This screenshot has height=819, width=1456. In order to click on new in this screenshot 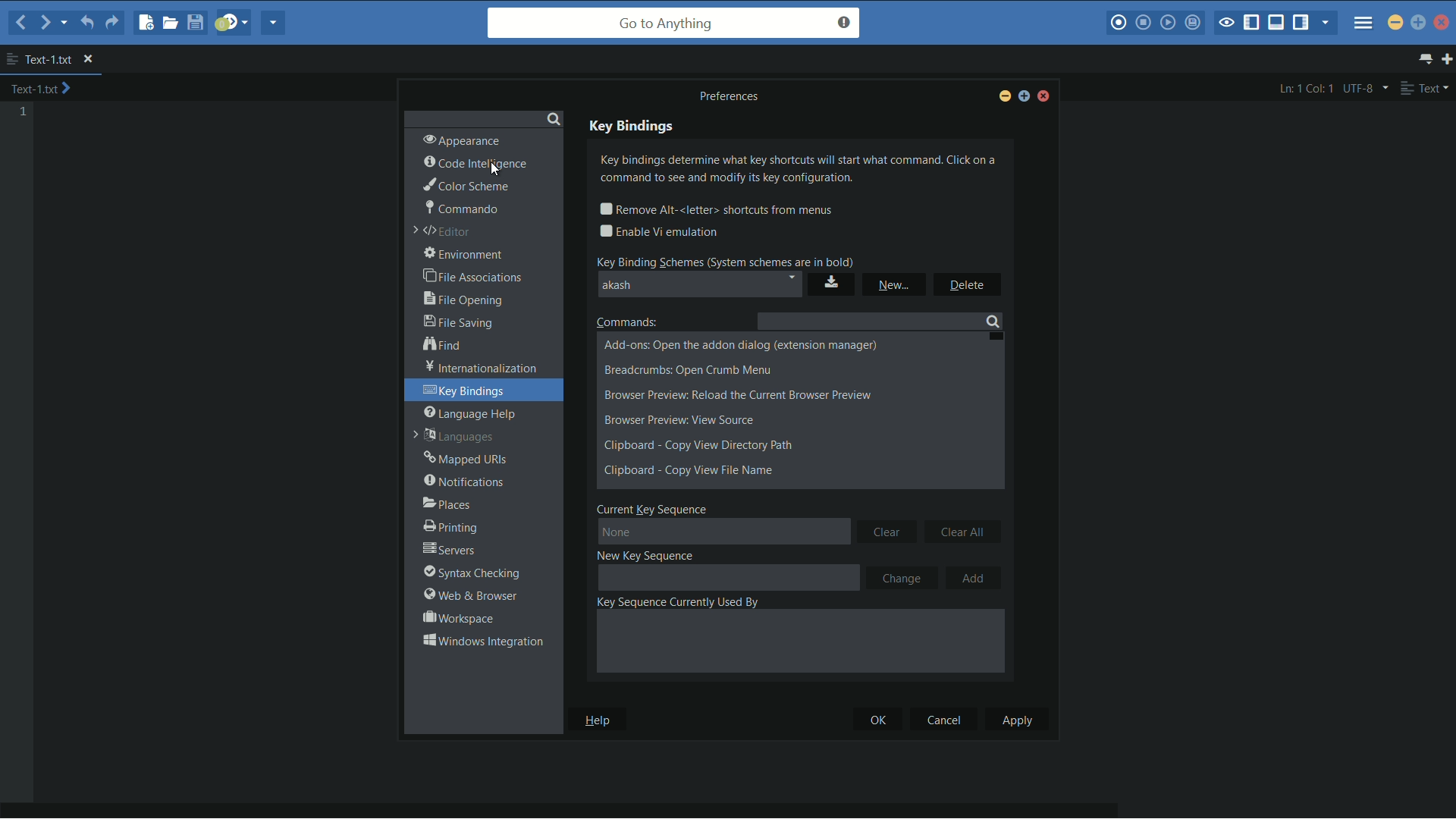, I will do `click(895, 285)`.